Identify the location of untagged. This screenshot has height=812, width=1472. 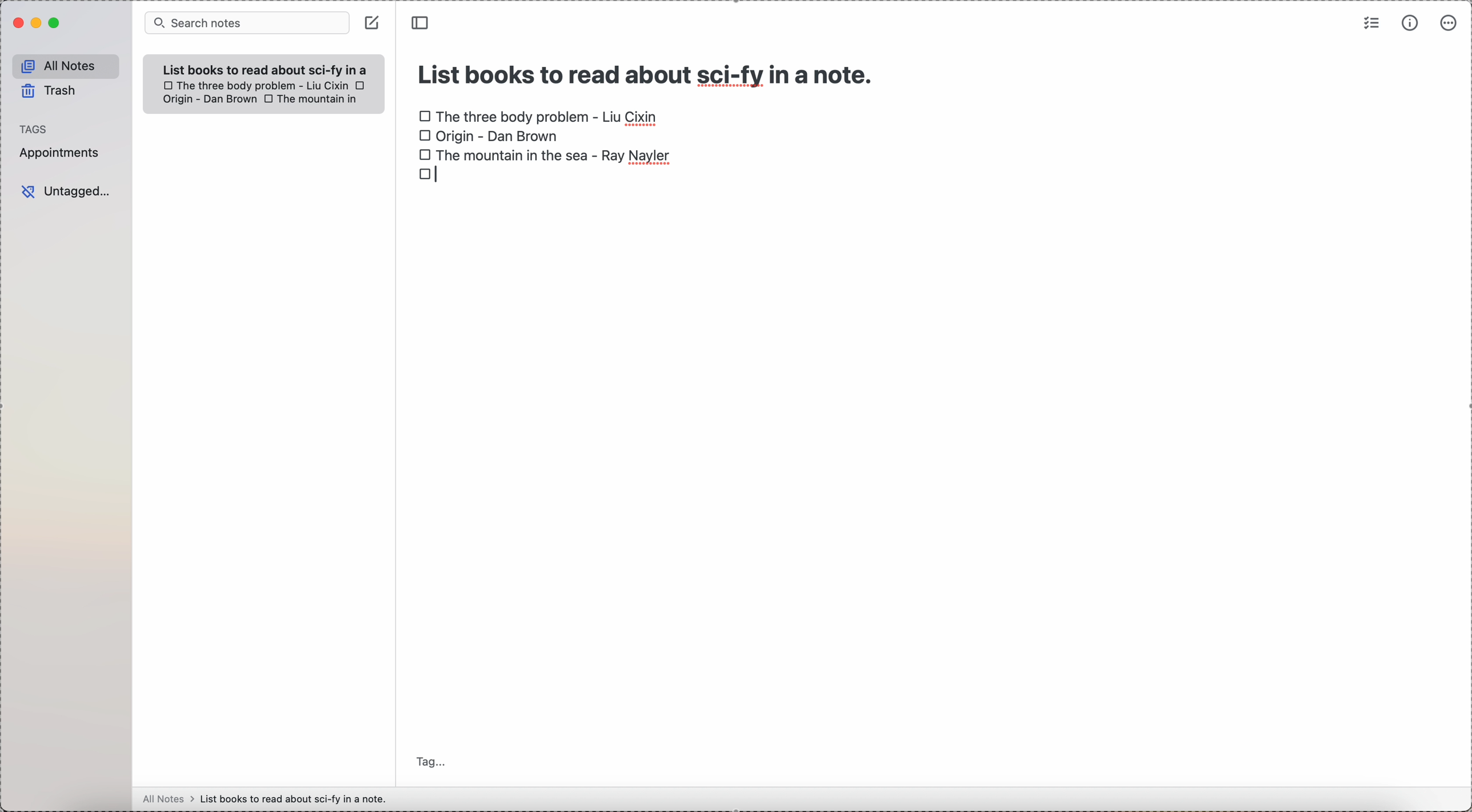
(66, 191).